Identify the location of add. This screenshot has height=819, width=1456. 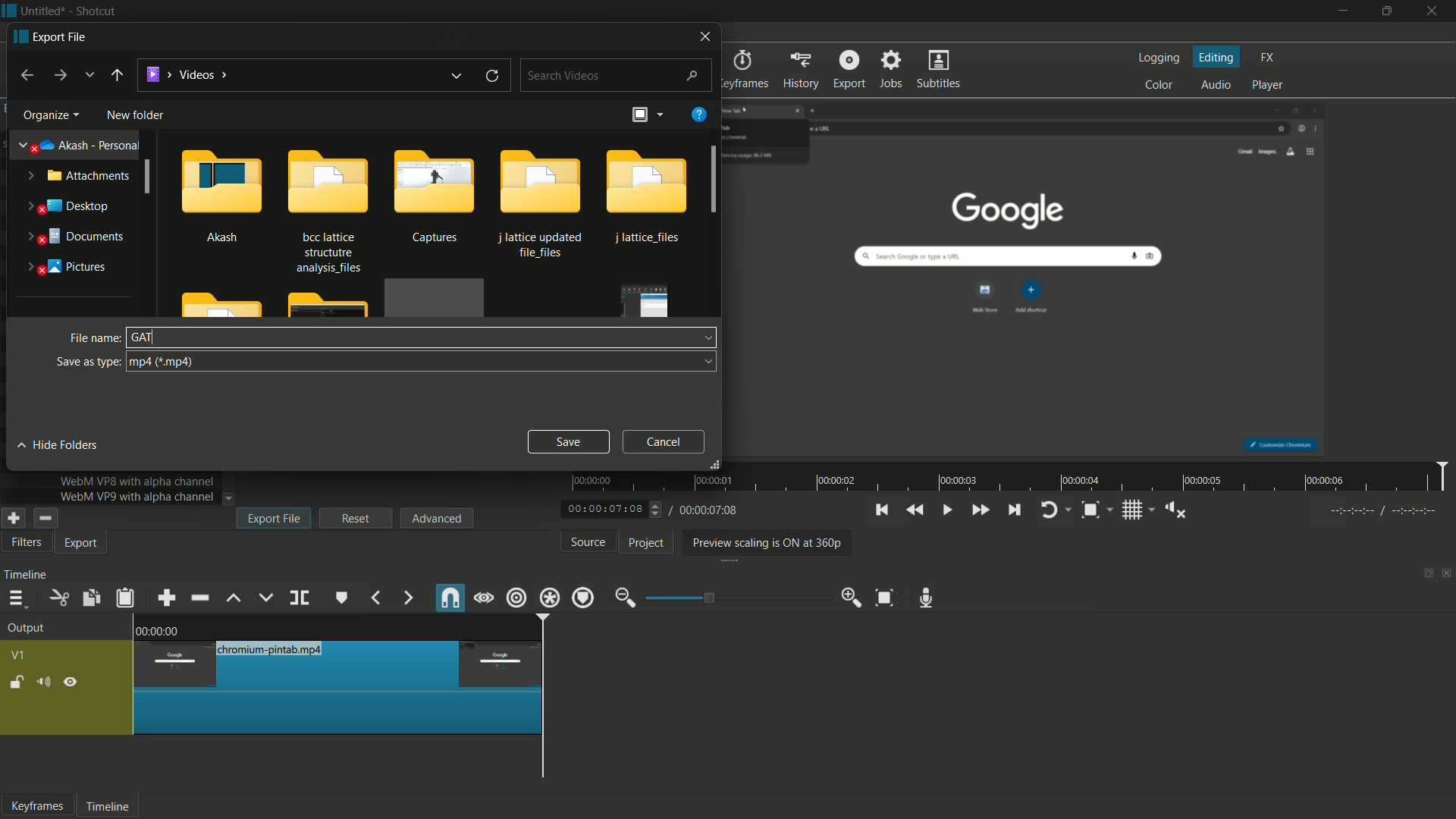
(11, 518).